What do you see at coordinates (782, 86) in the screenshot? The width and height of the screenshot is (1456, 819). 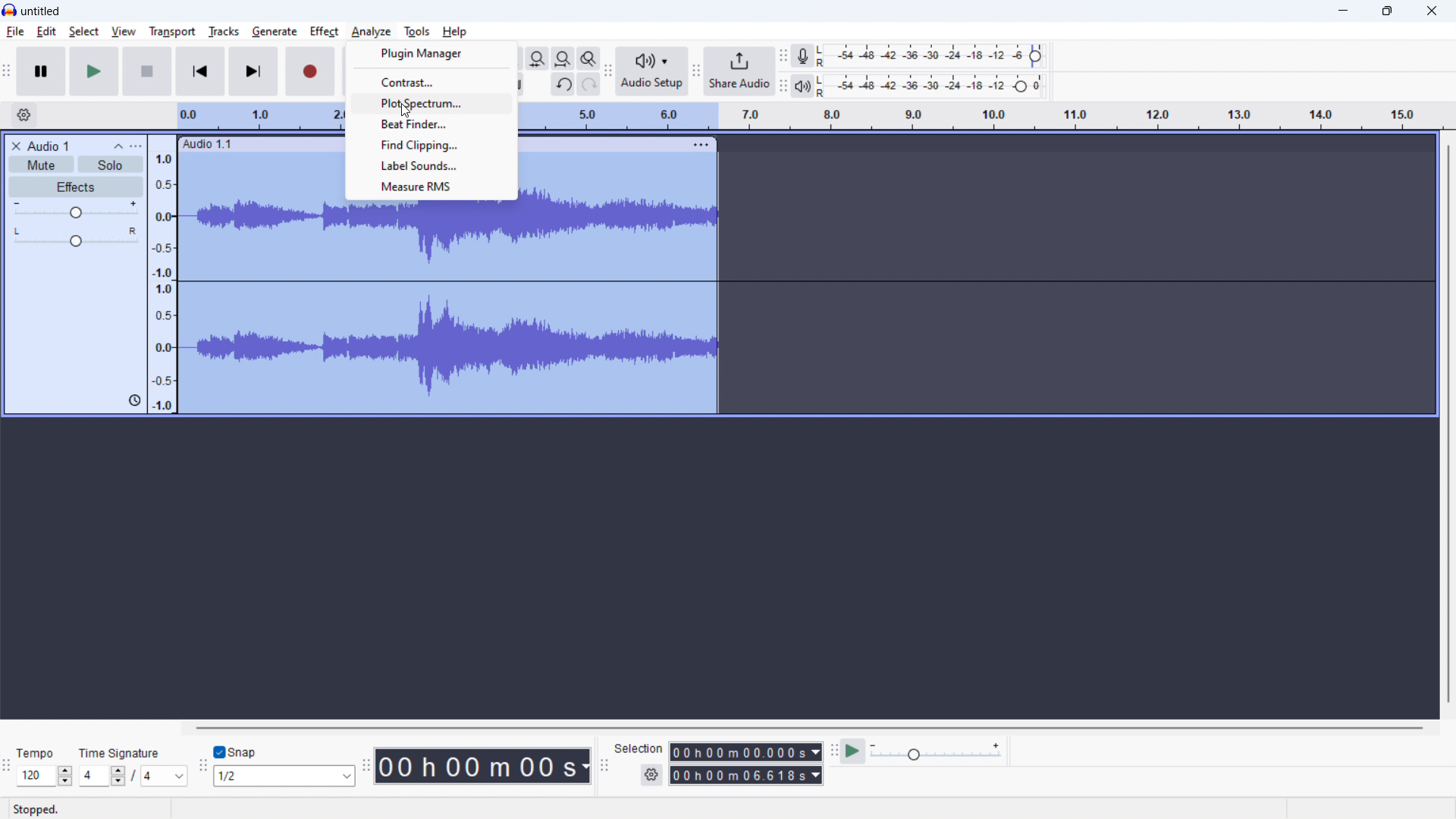 I see `playback meter toolbar` at bounding box center [782, 86].